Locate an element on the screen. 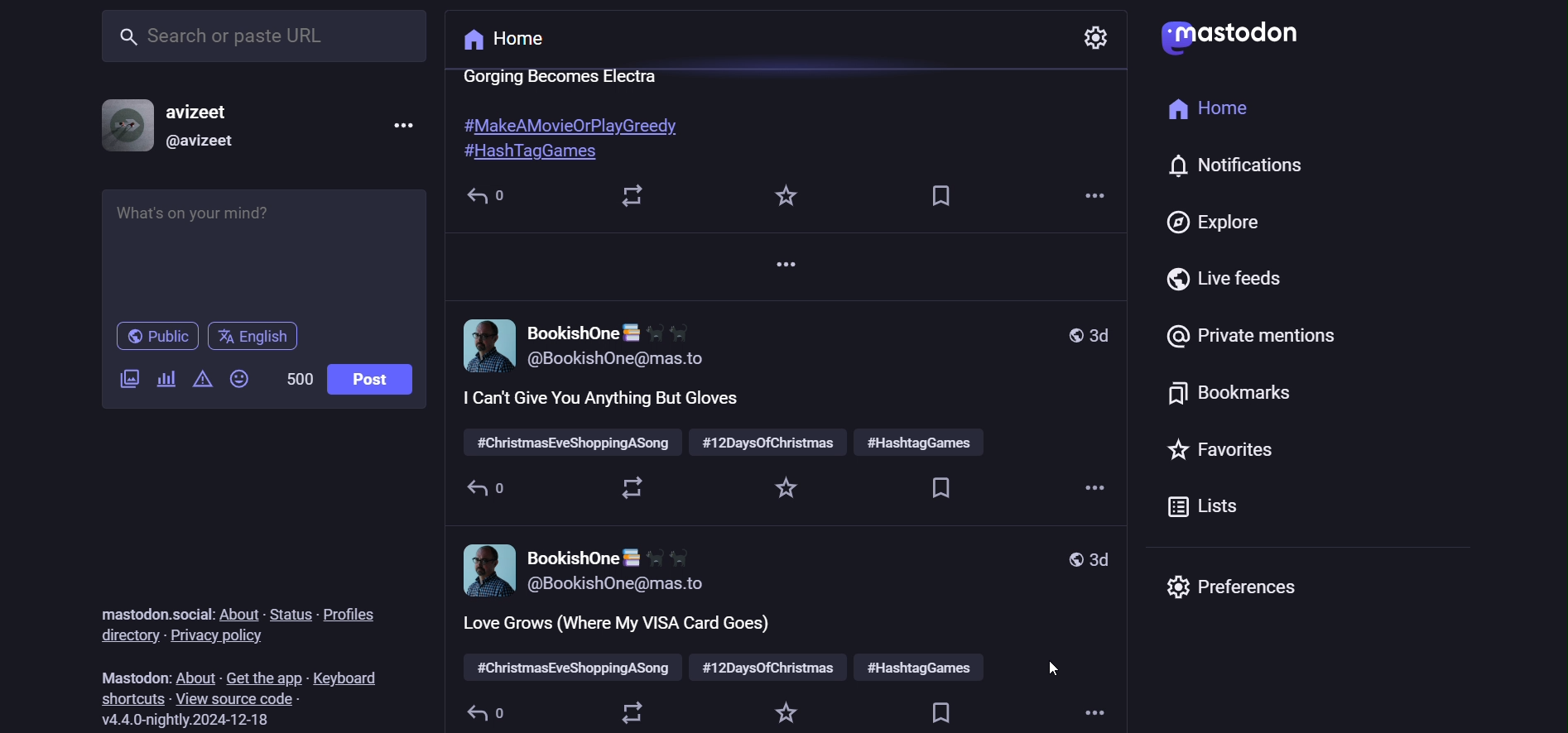  #12DaysOfChristmas is located at coordinates (769, 668).